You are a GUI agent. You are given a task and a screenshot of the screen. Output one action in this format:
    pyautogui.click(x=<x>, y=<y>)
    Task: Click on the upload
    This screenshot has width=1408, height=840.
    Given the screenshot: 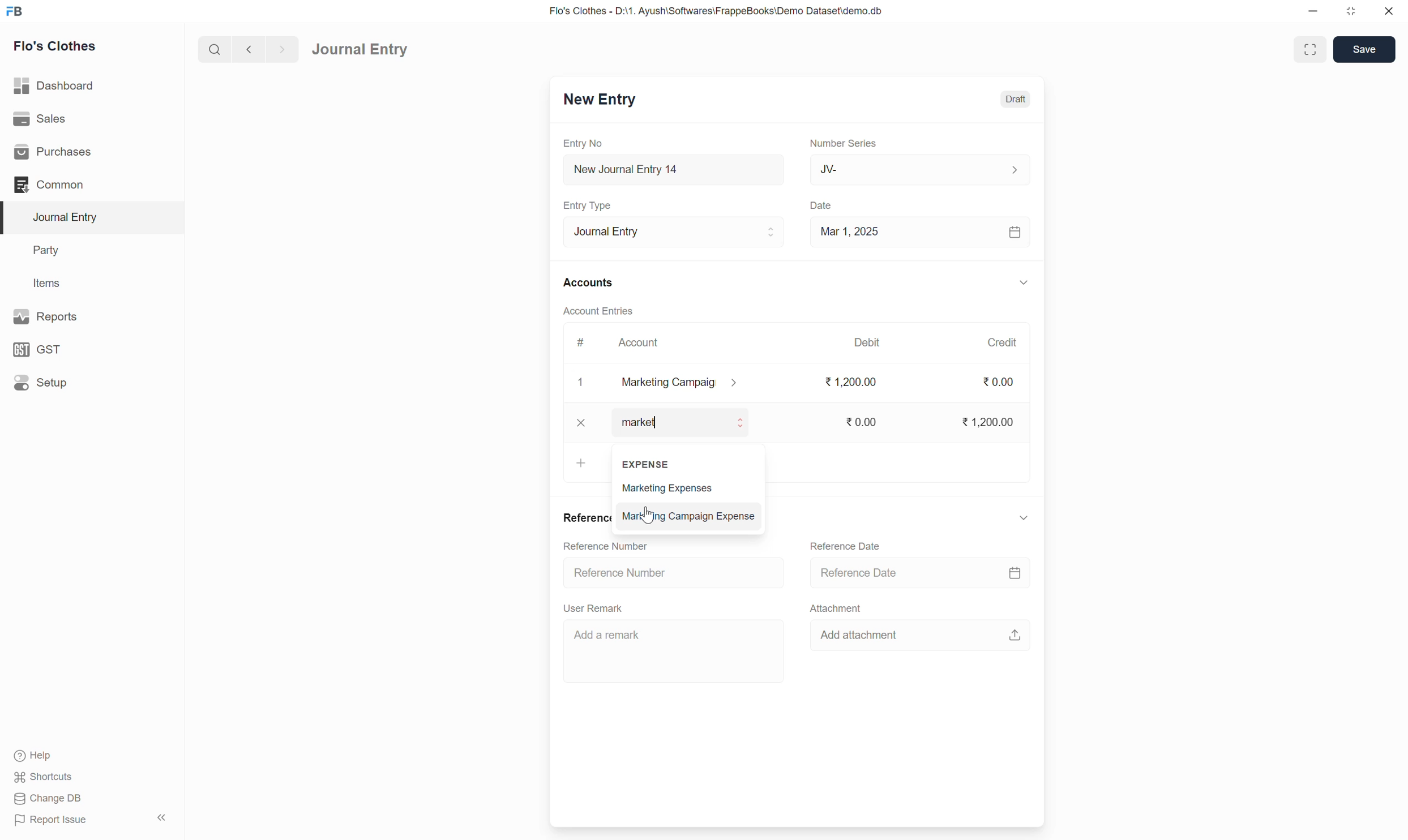 What is the action you would take?
    pyautogui.click(x=1015, y=636)
    